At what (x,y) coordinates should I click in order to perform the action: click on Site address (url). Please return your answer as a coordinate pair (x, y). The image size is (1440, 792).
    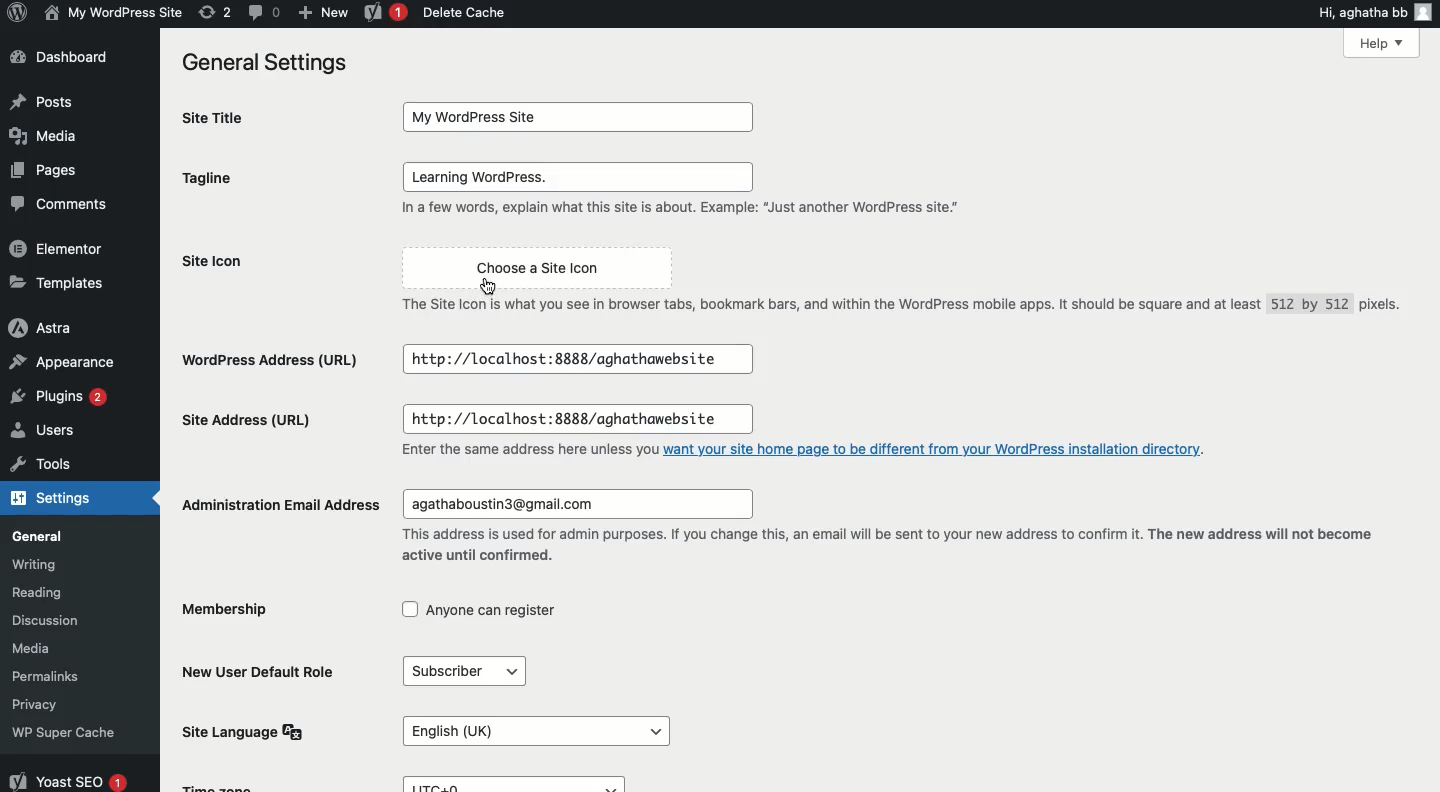
    Looking at the image, I should click on (244, 416).